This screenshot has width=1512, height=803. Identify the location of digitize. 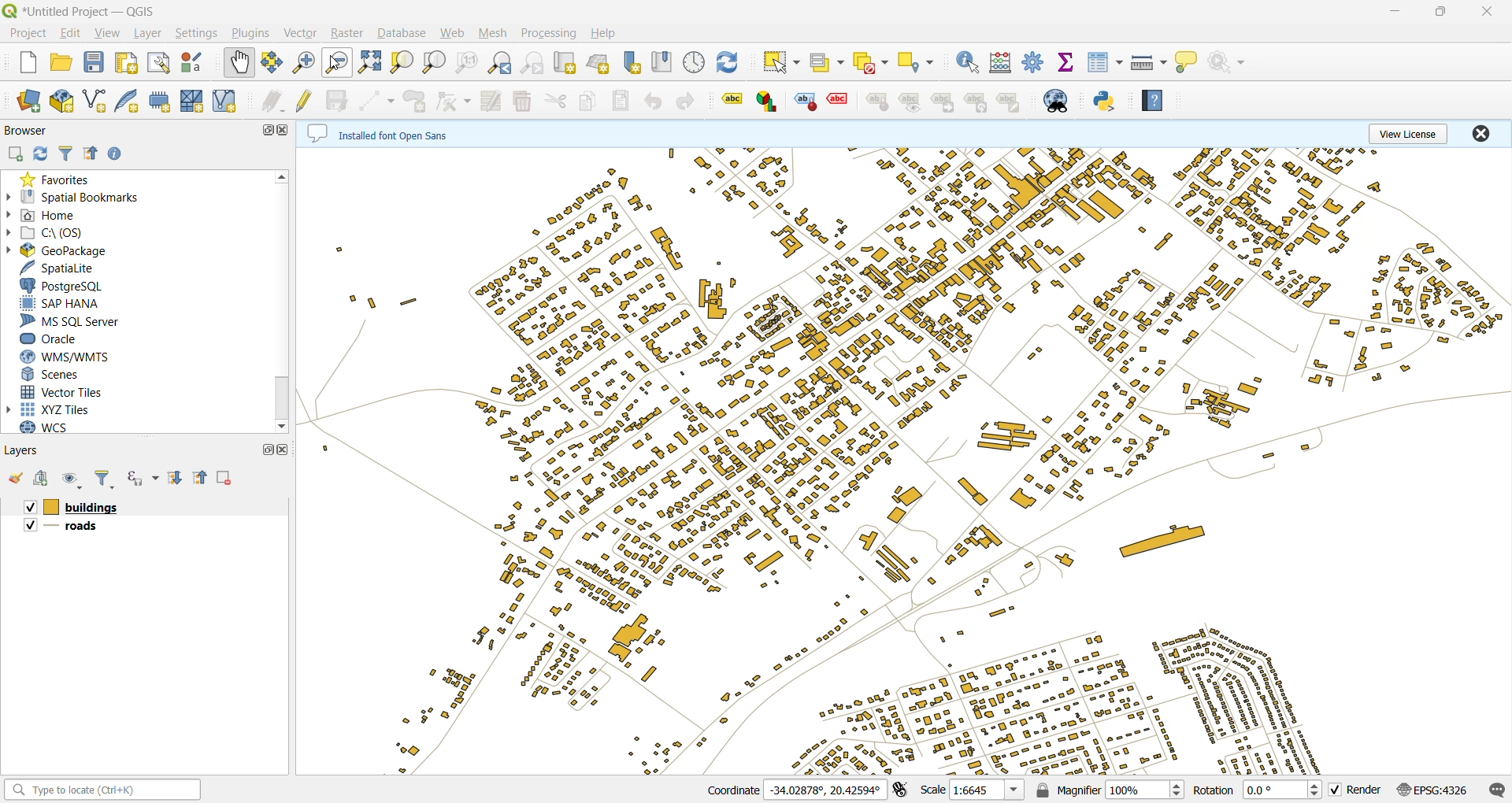
(379, 101).